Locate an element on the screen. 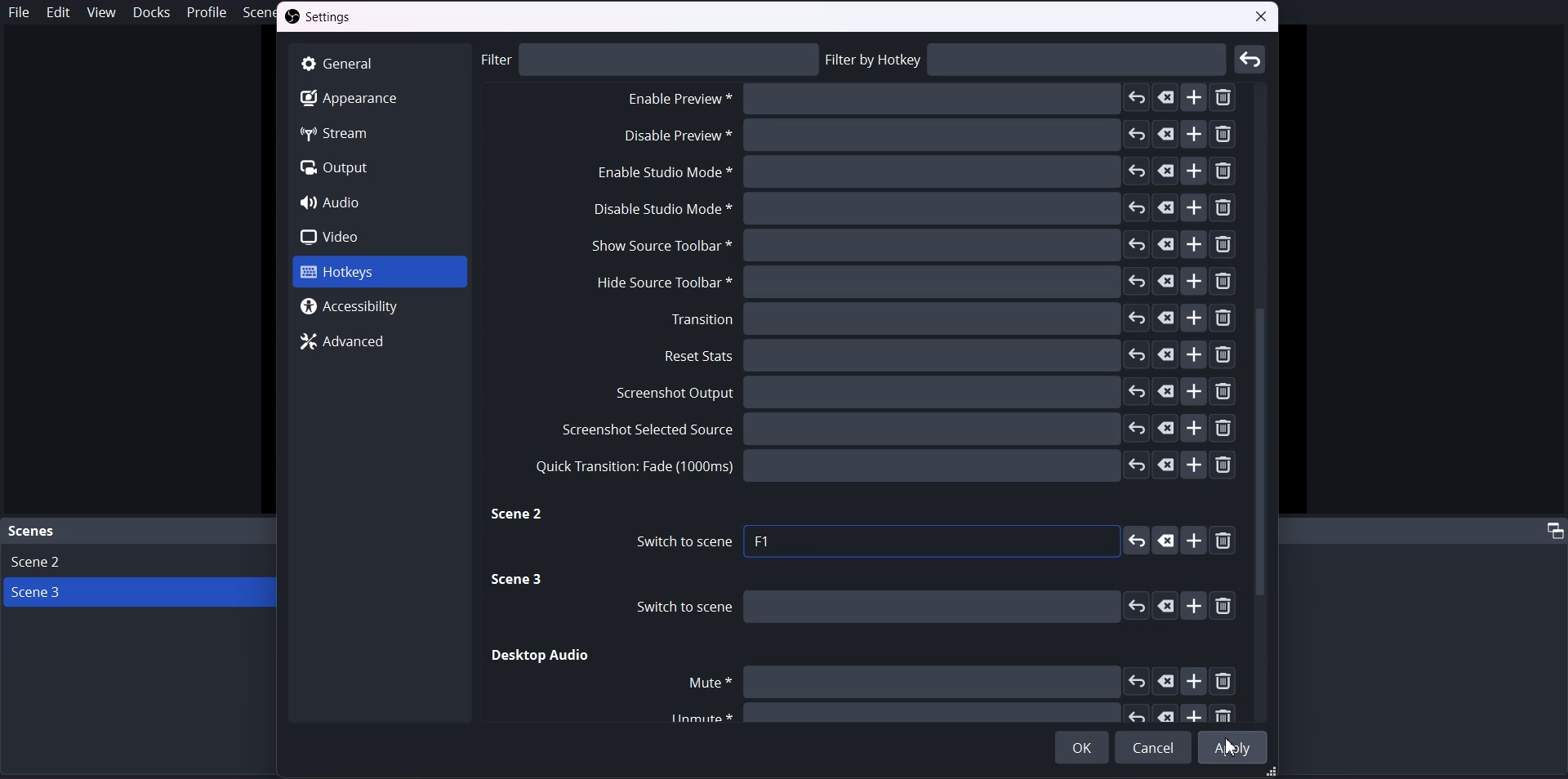  Scene is located at coordinates (33, 532).